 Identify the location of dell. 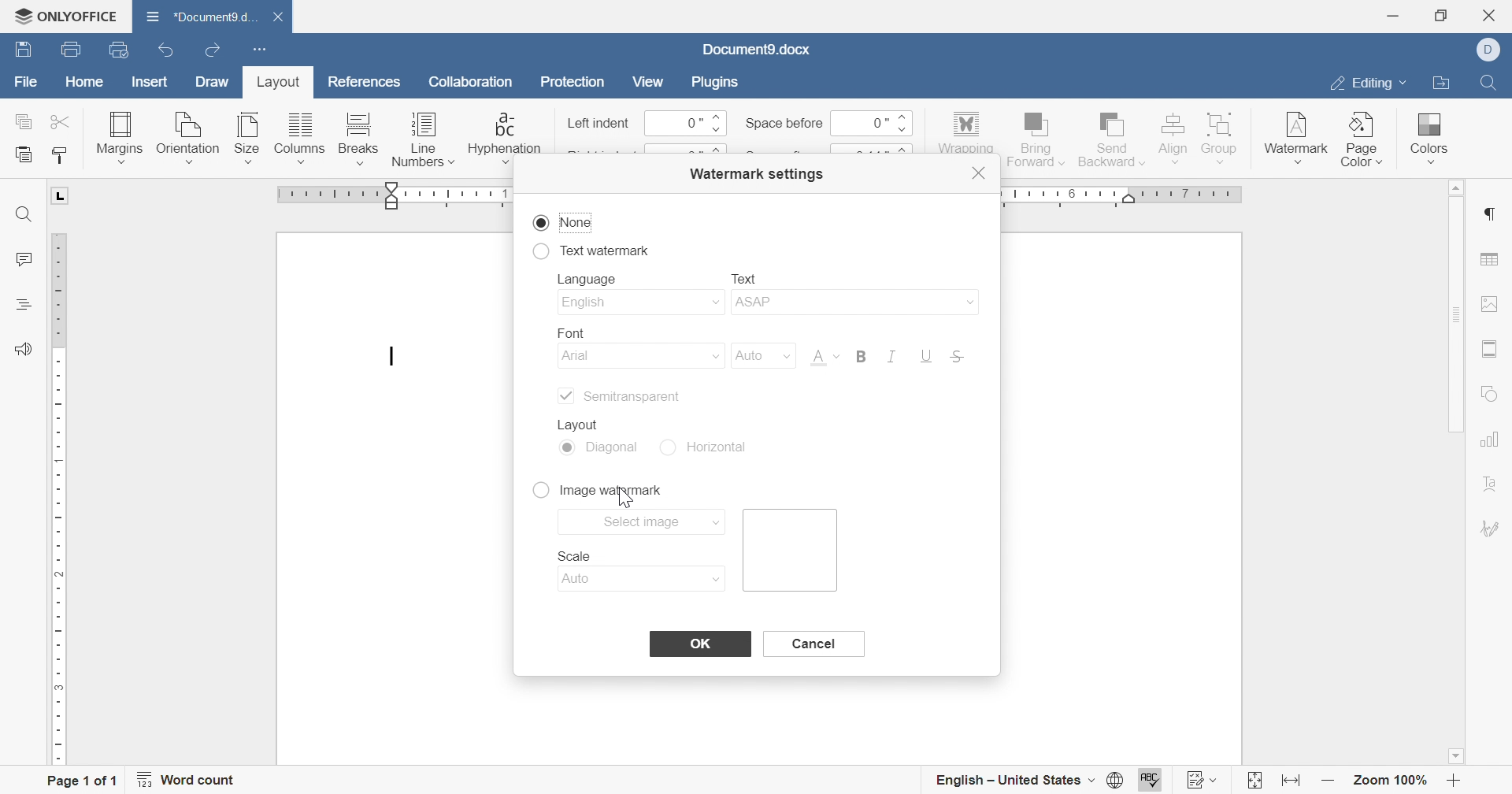
(1494, 50).